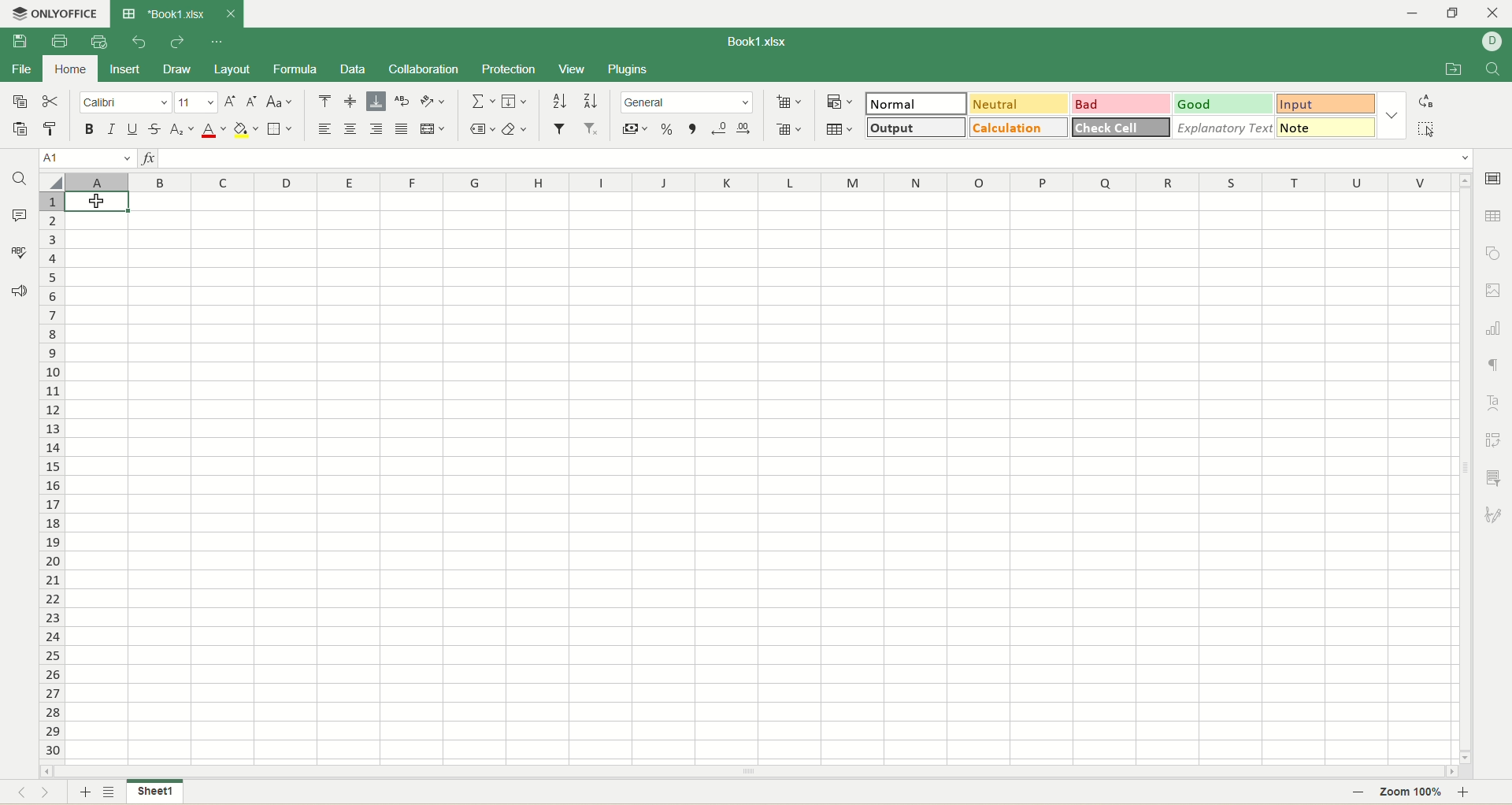  What do you see at coordinates (157, 128) in the screenshot?
I see `strikethrough` at bounding box center [157, 128].